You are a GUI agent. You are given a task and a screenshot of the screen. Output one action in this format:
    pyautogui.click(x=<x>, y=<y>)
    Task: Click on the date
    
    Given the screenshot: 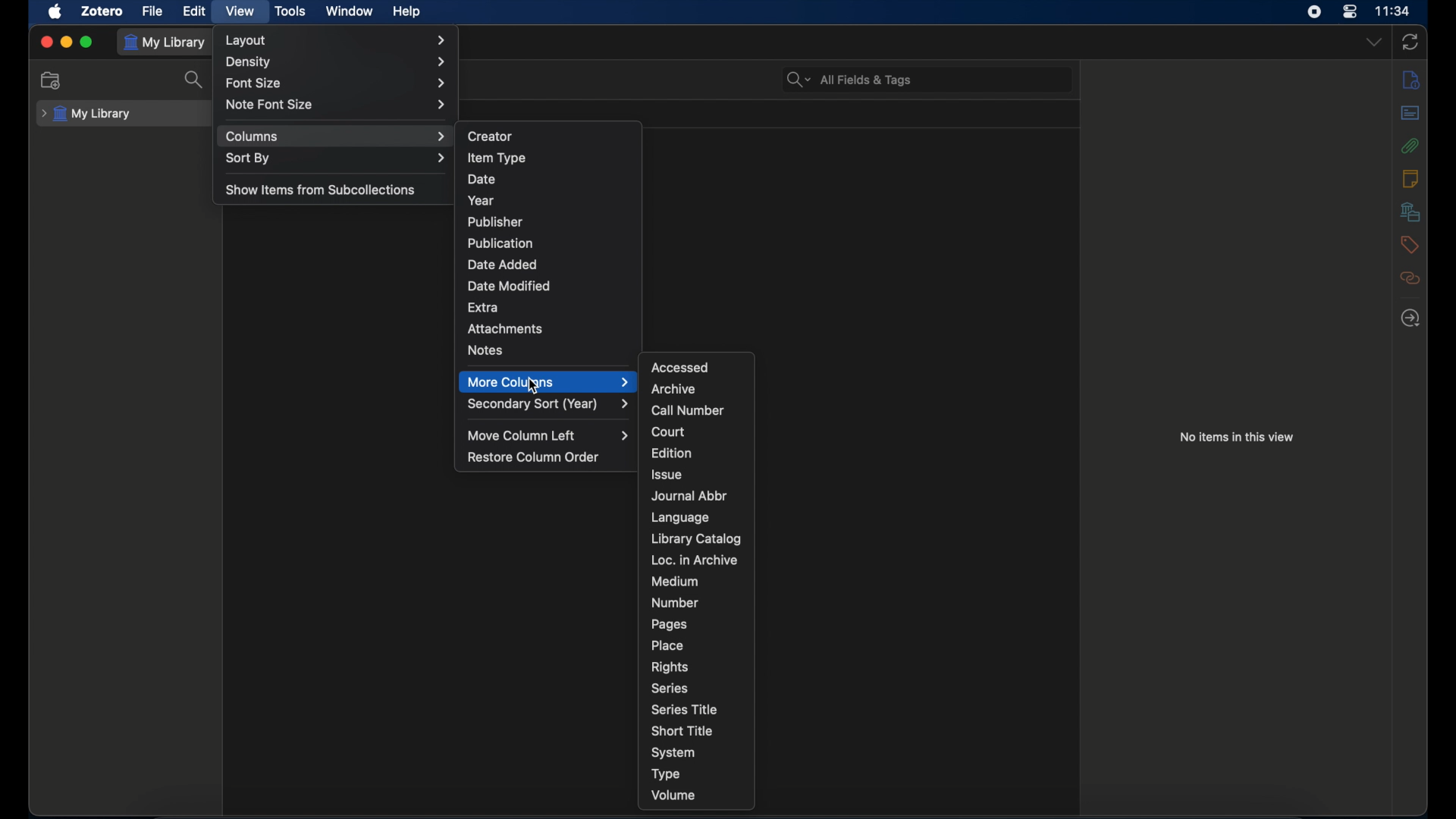 What is the action you would take?
    pyautogui.click(x=482, y=179)
    